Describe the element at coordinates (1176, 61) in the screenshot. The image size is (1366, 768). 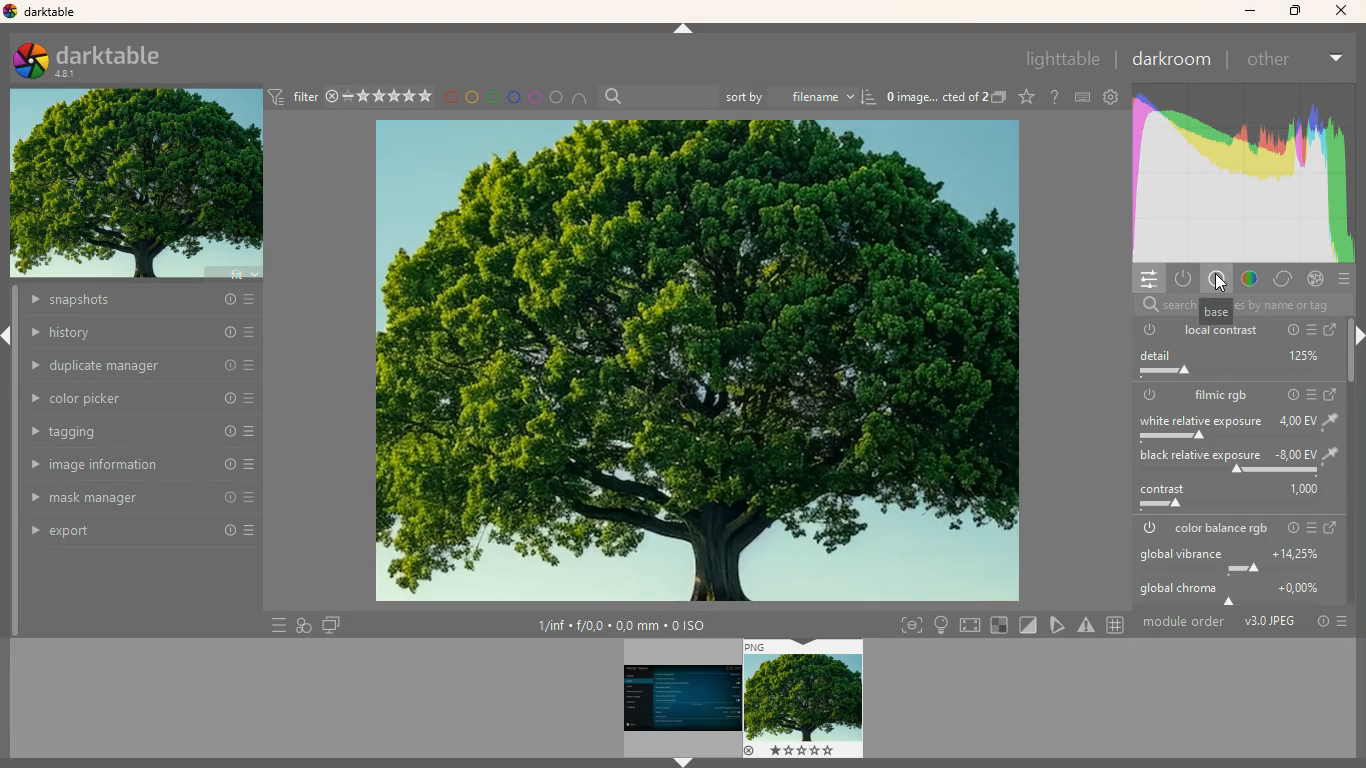
I see `darkroom` at that location.